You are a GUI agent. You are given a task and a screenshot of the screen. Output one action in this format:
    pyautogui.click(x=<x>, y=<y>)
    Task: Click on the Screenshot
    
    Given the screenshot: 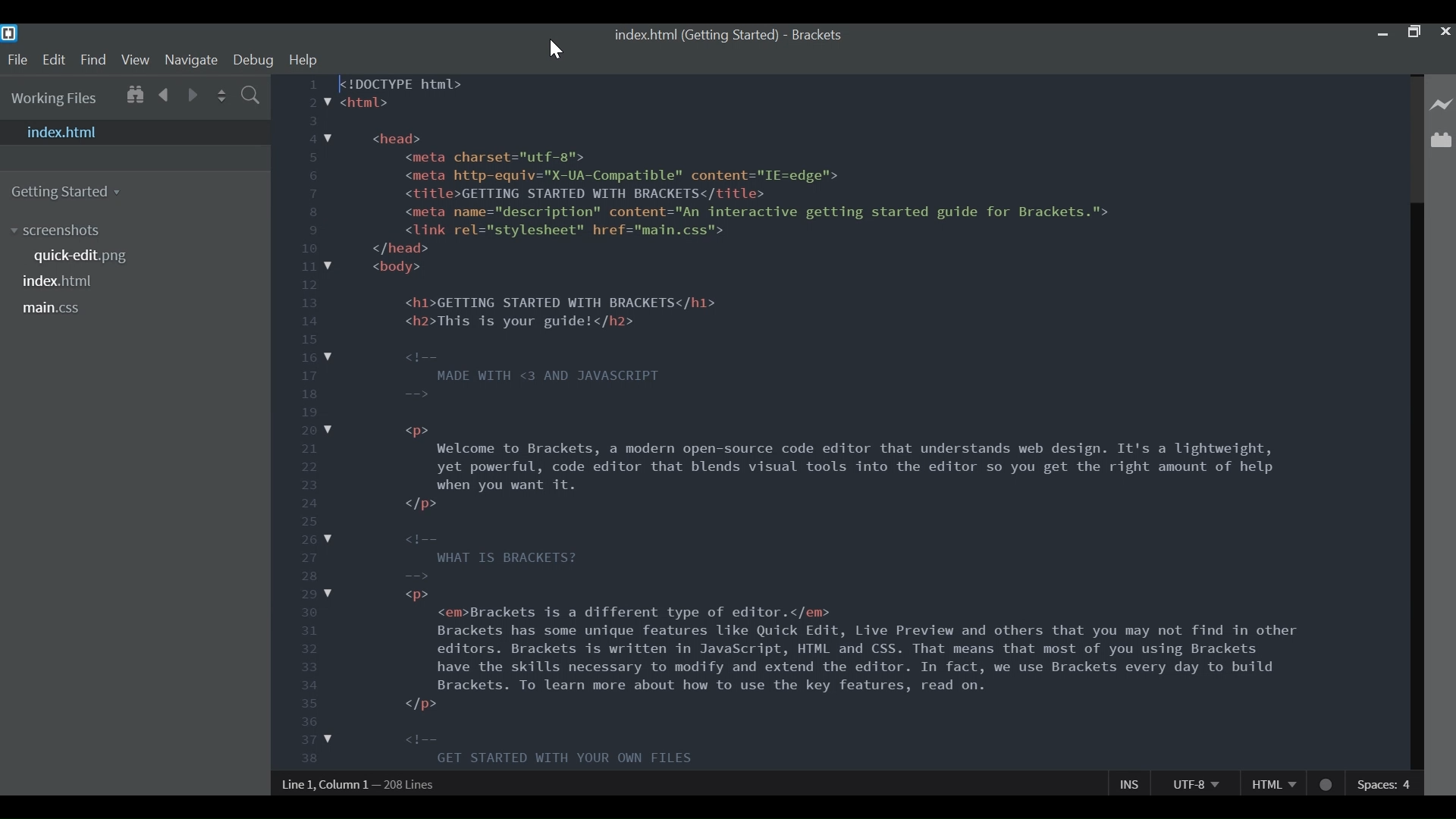 What is the action you would take?
    pyautogui.click(x=142, y=231)
    